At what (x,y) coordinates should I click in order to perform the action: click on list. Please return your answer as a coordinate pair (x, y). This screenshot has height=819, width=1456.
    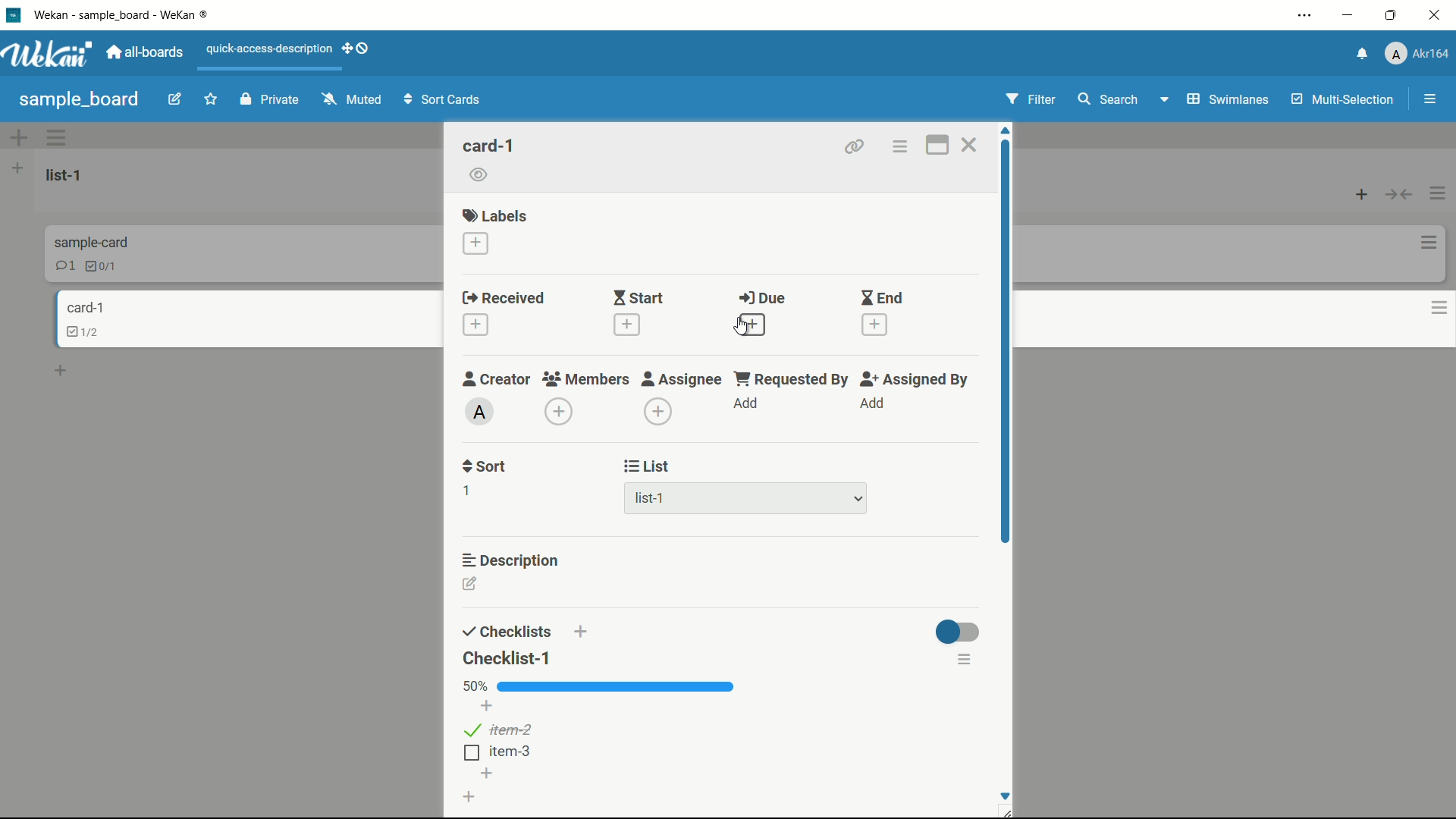
    Looking at the image, I should click on (645, 467).